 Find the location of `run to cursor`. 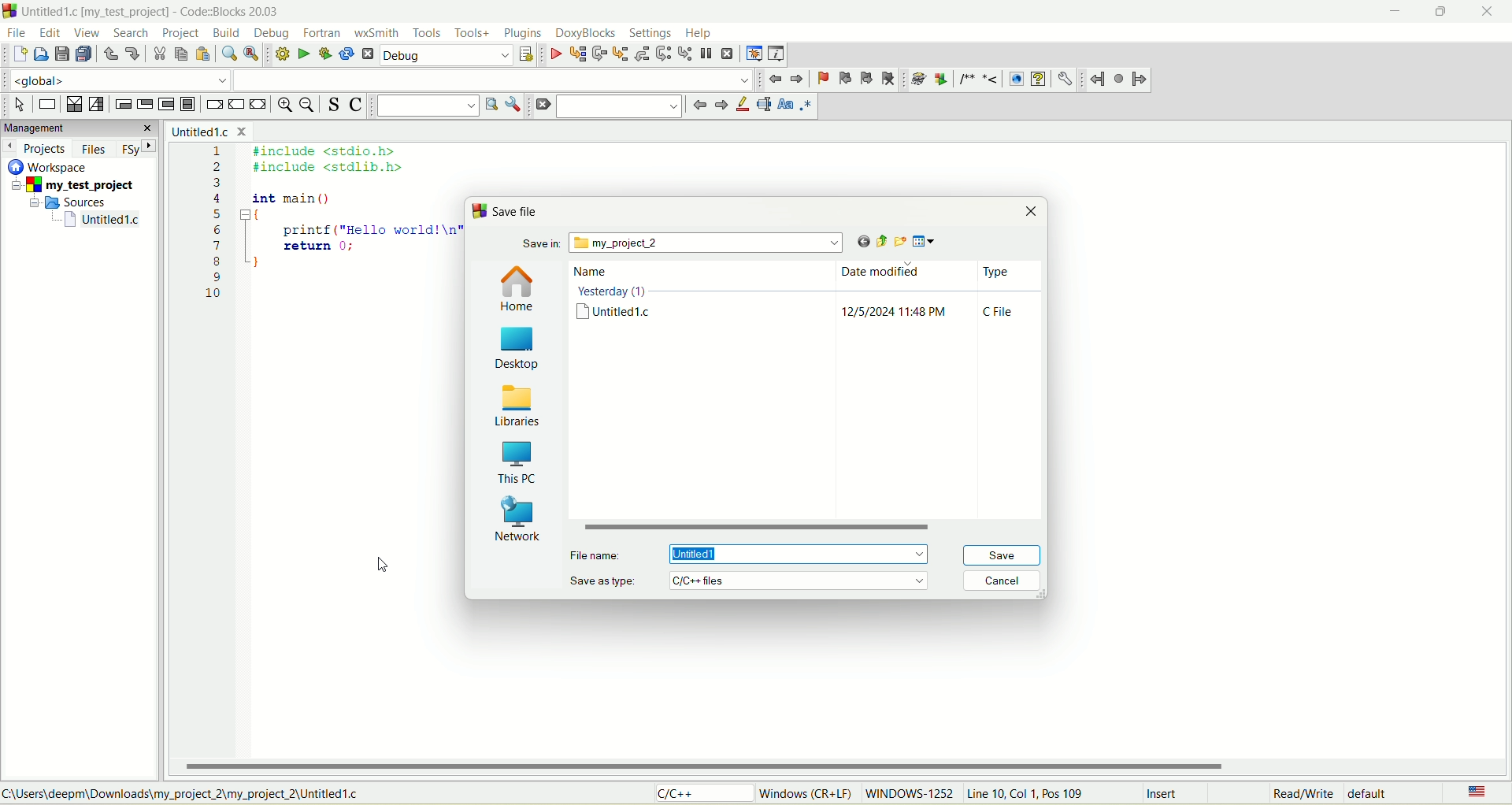

run to cursor is located at coordinates (577, 56).